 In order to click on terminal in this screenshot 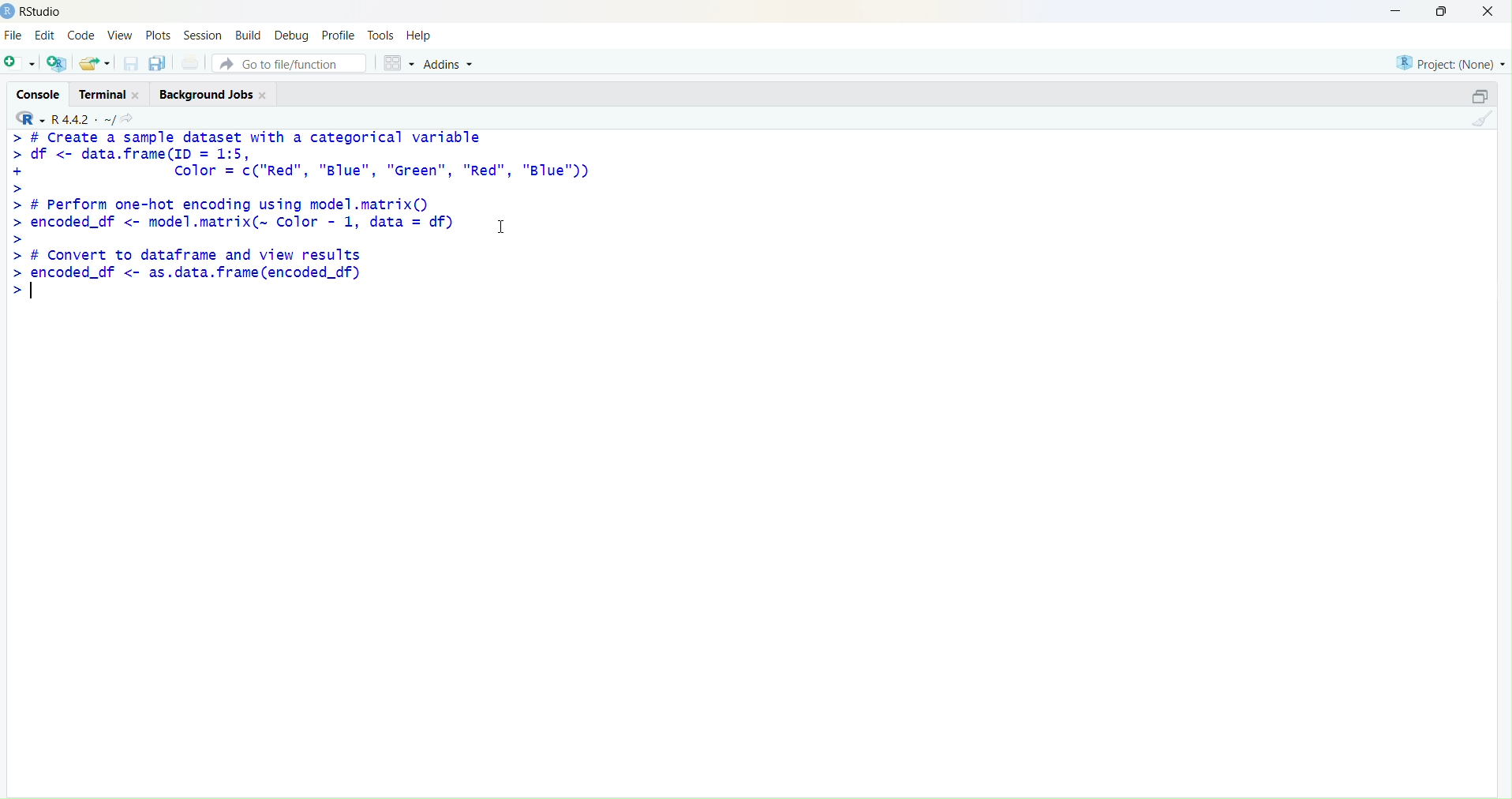, I will do `click(102, 96)`.